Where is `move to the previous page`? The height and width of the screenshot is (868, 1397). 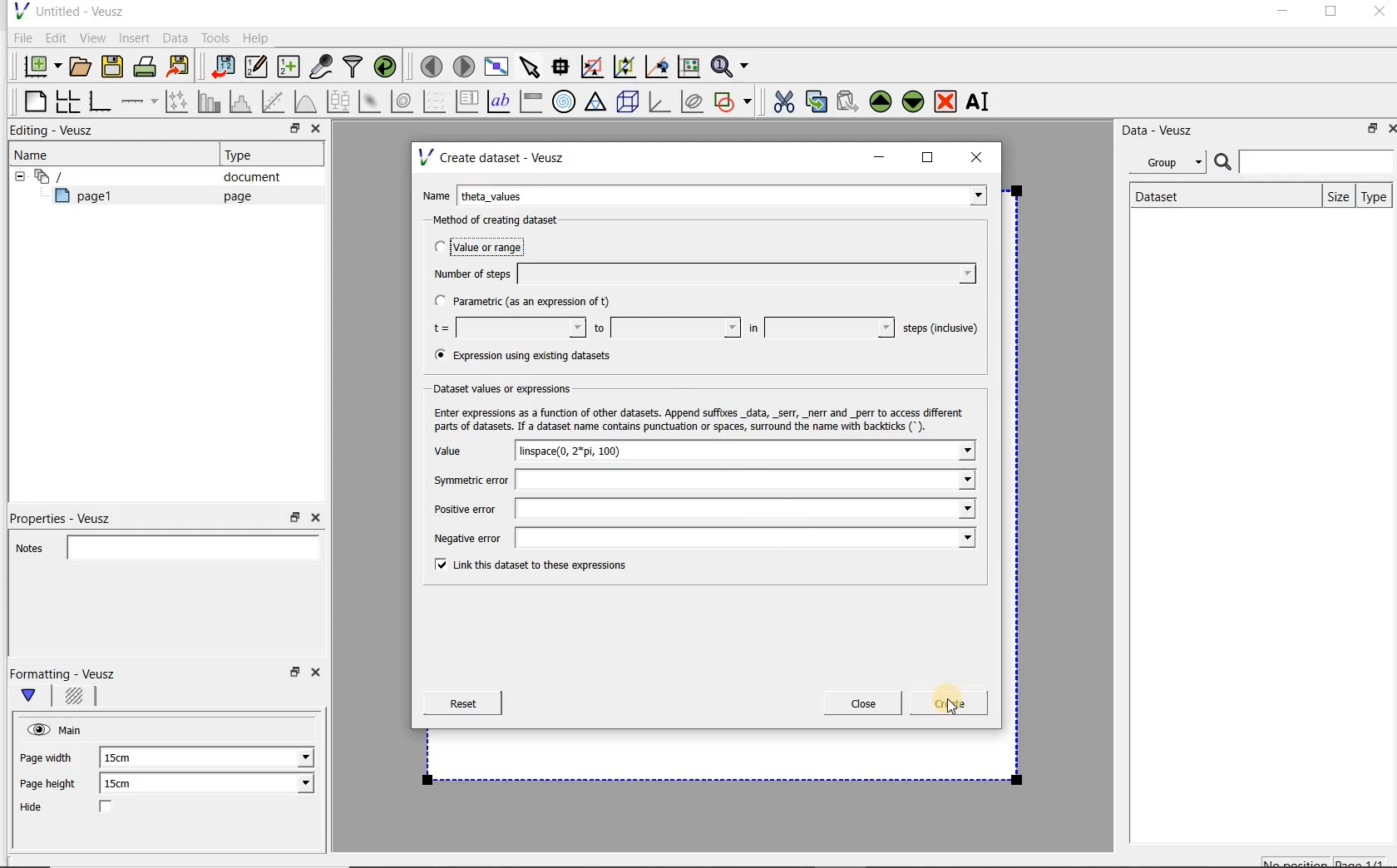 move to the previous page is located at coordinates (432, 64).